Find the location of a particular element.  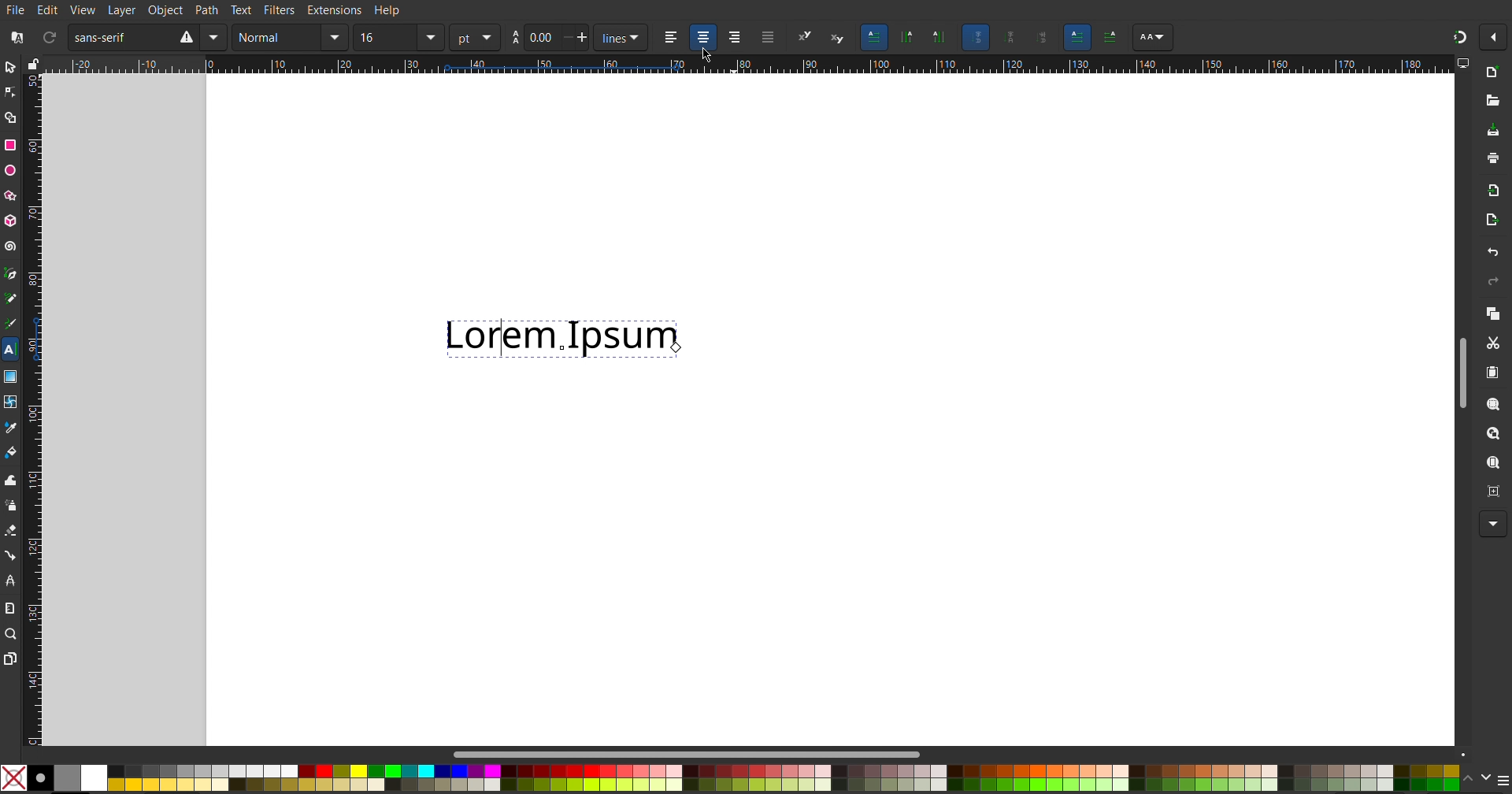

Cut is located at coordinates (1494, 343).